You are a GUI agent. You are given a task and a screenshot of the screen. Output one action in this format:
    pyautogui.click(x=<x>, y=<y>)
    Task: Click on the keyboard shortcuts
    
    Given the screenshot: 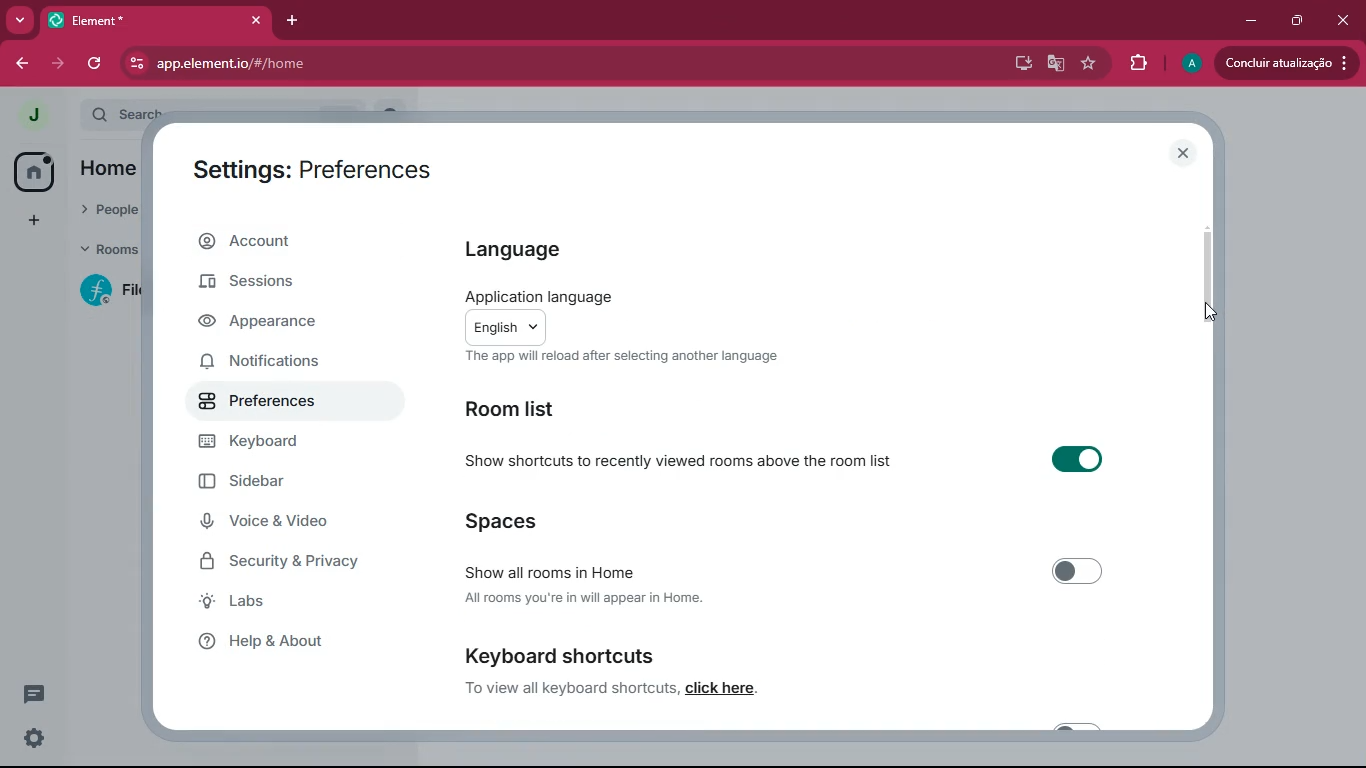 What is the action you would take?
    pyautogui.click(x=565, y=654)
    